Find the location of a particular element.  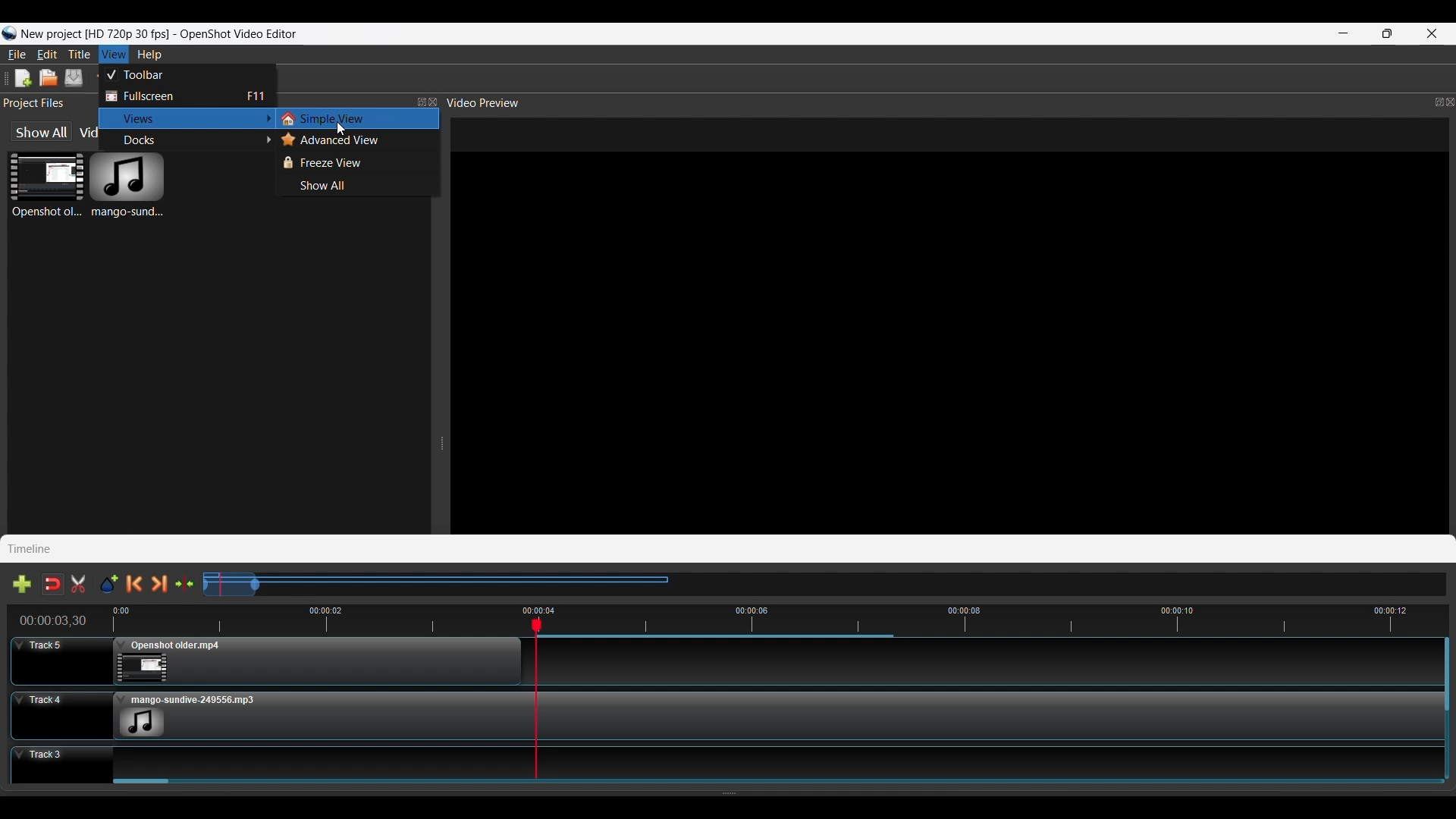

New Project  is located at coordinates (24, 78).